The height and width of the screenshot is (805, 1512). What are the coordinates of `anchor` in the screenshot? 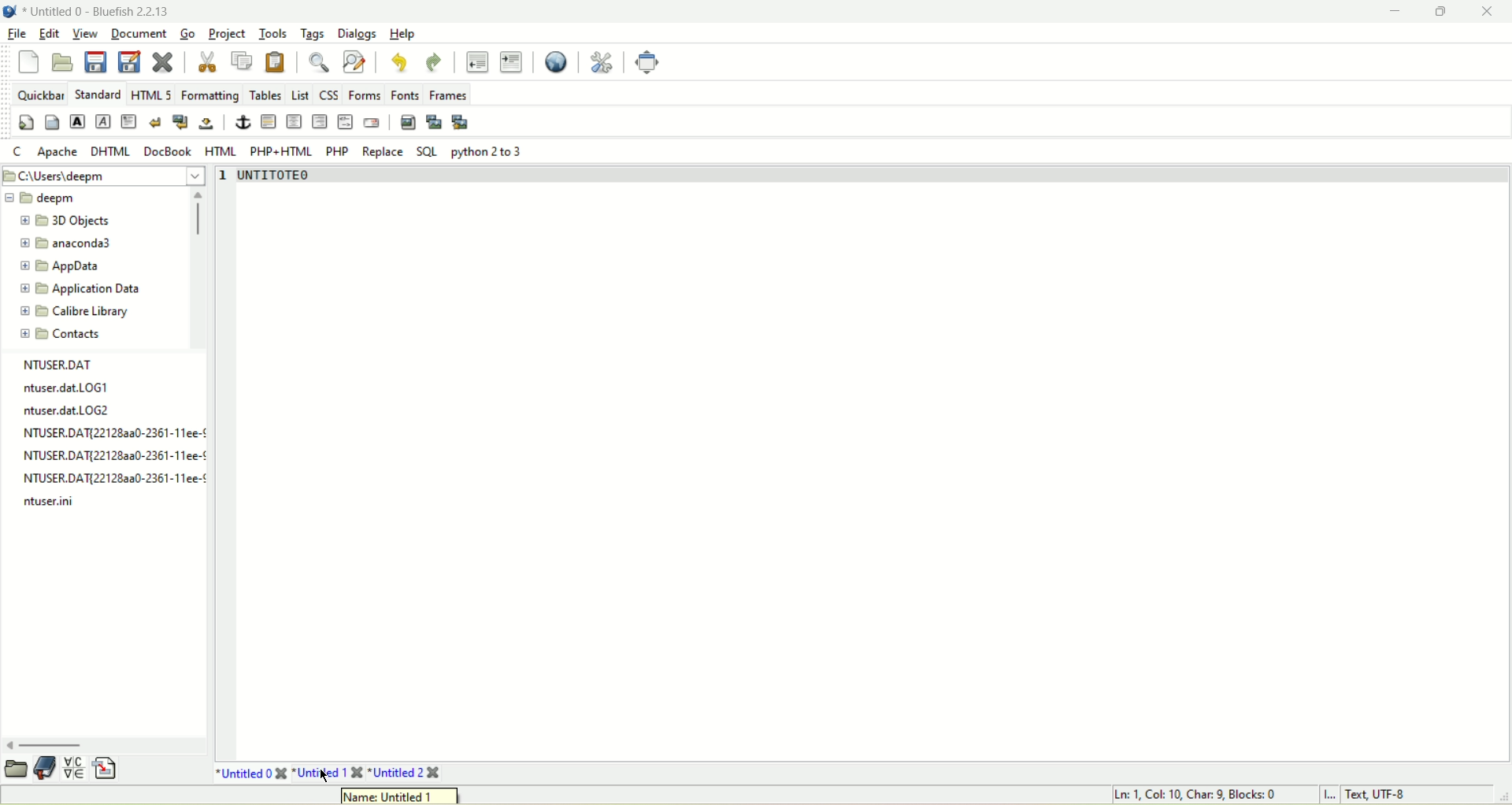 It's located at (241, 122).